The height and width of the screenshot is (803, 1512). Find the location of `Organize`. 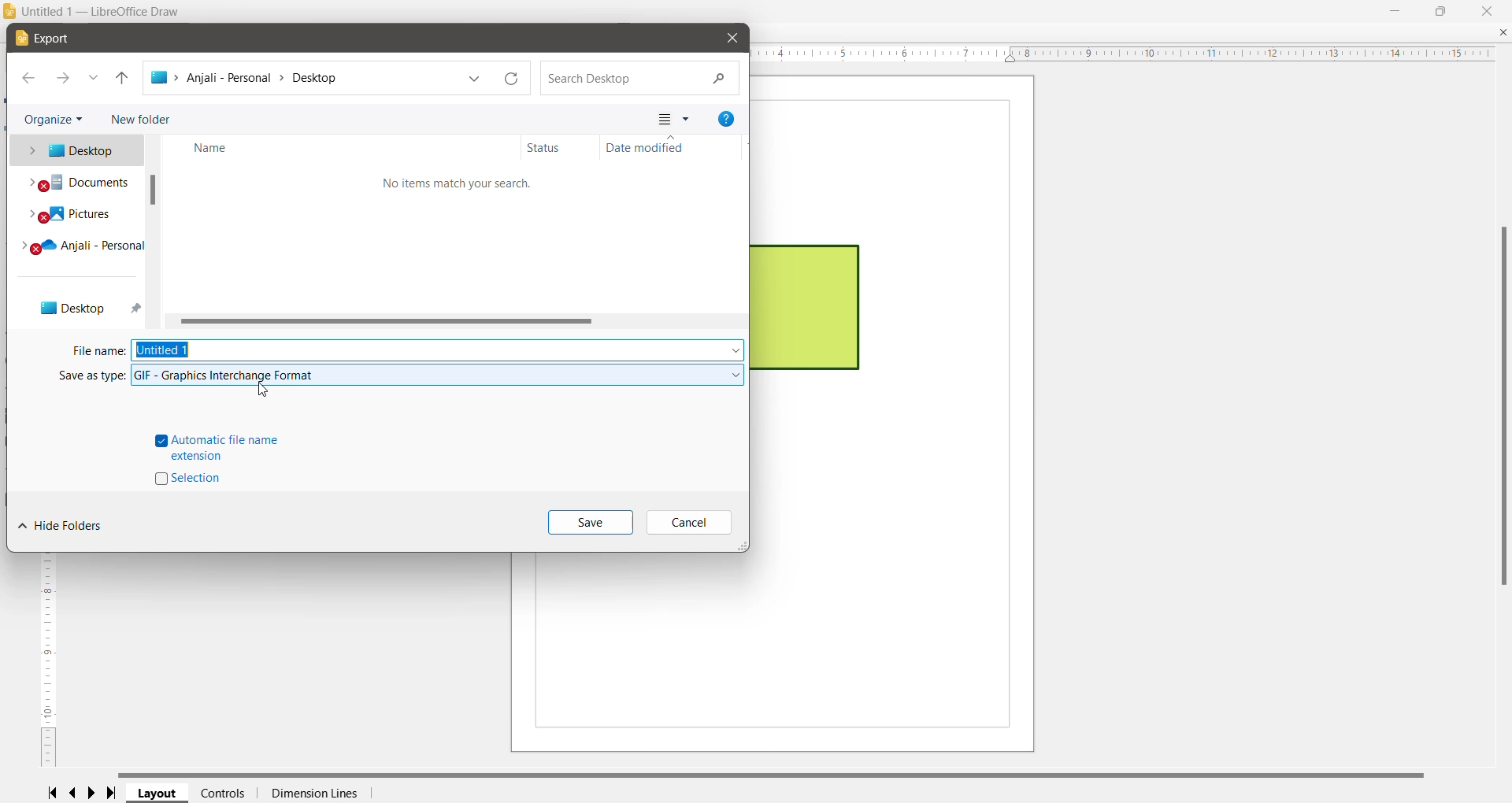

Organize is located at coordinates (55, 117).